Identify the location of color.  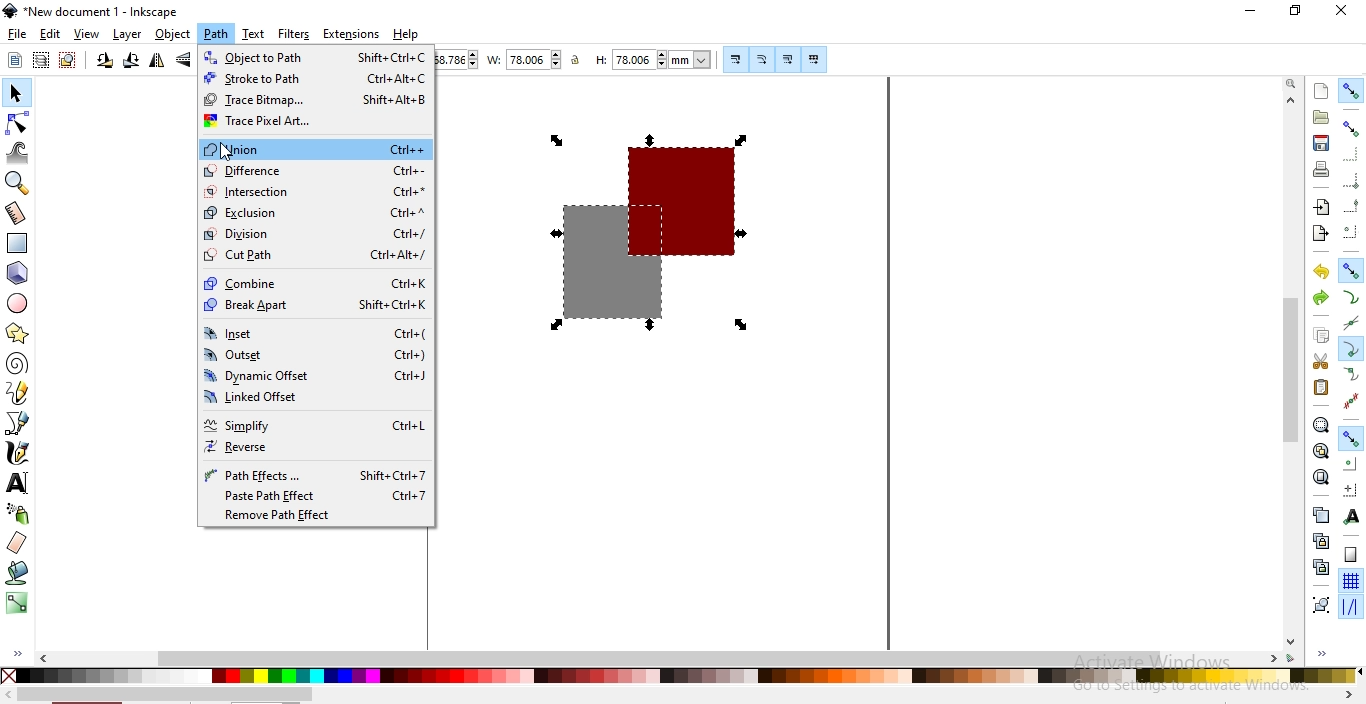
(679, 675).